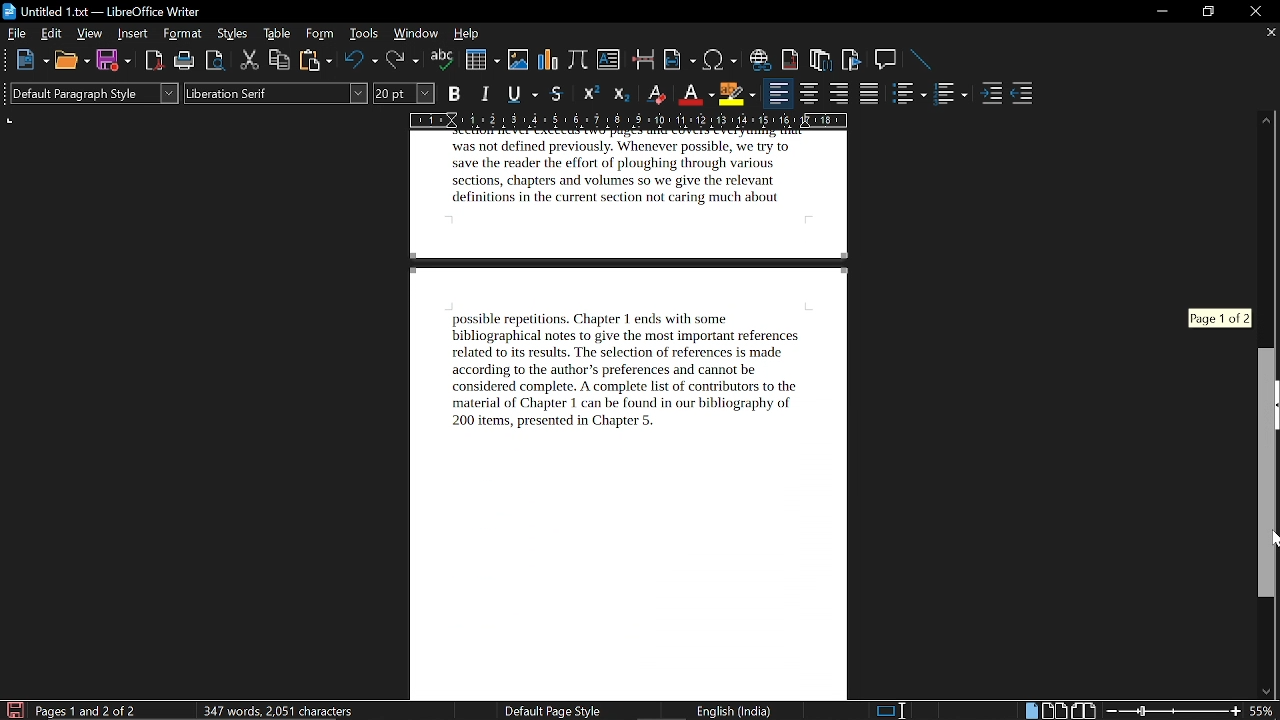 The height and width of the screenshot is (720, 1280). What do you see at coordinates (887, 60) in the screenshot?
I see `insert comment` at bounding box center [887, 60].